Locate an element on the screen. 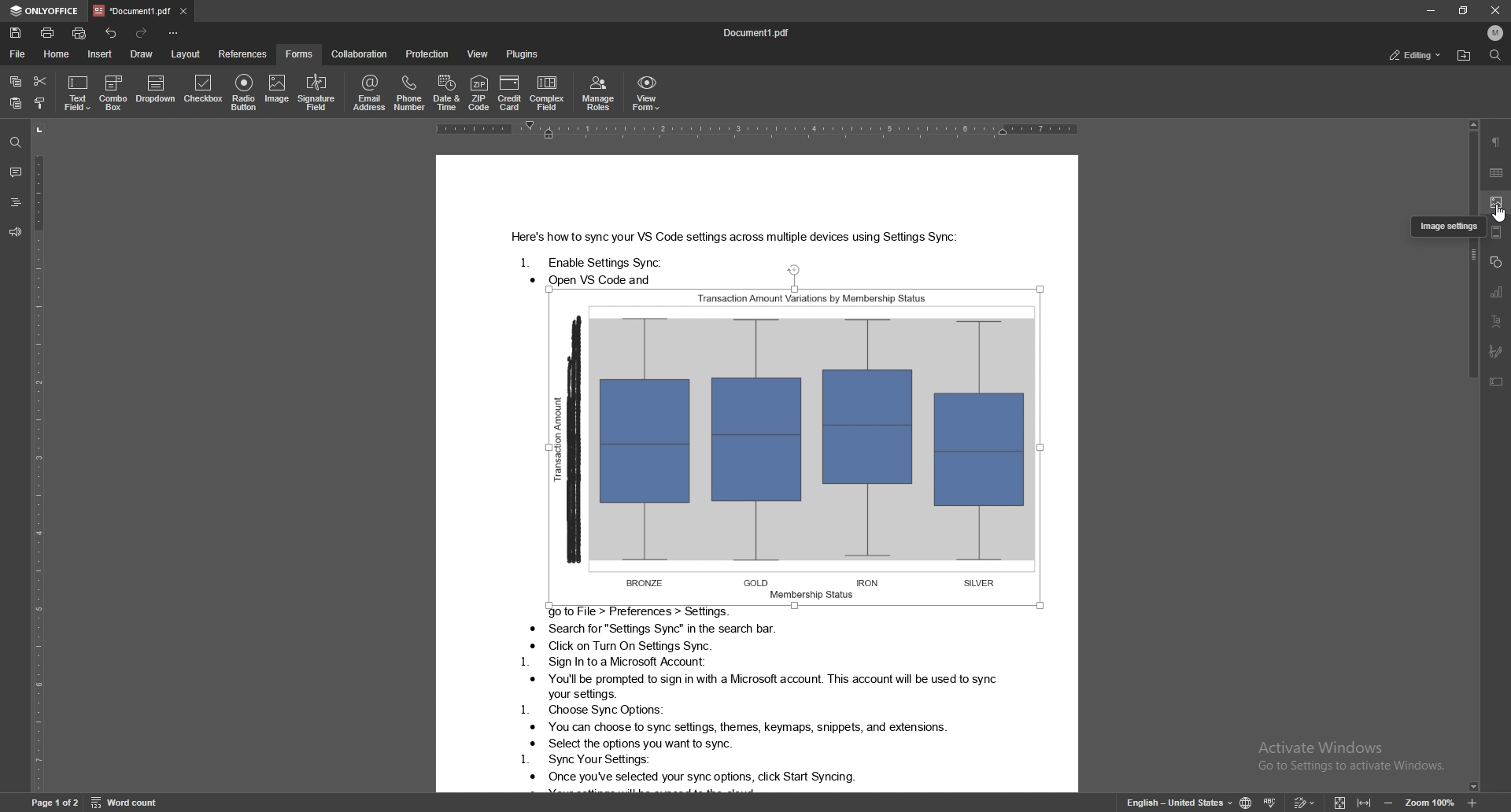  credit card is located at coordinates (511, 92).